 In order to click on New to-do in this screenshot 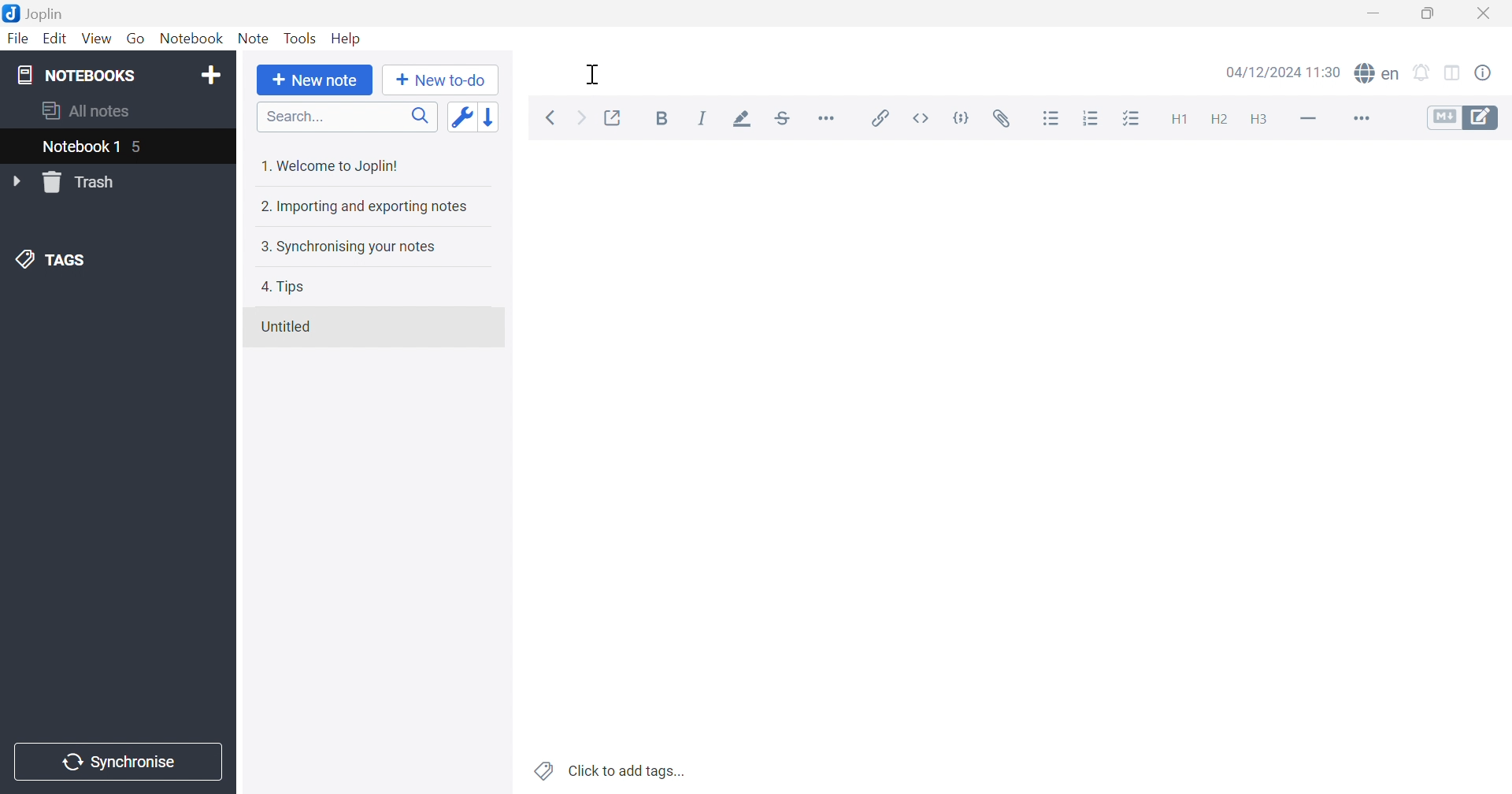, I will do `click(439, 78)`.